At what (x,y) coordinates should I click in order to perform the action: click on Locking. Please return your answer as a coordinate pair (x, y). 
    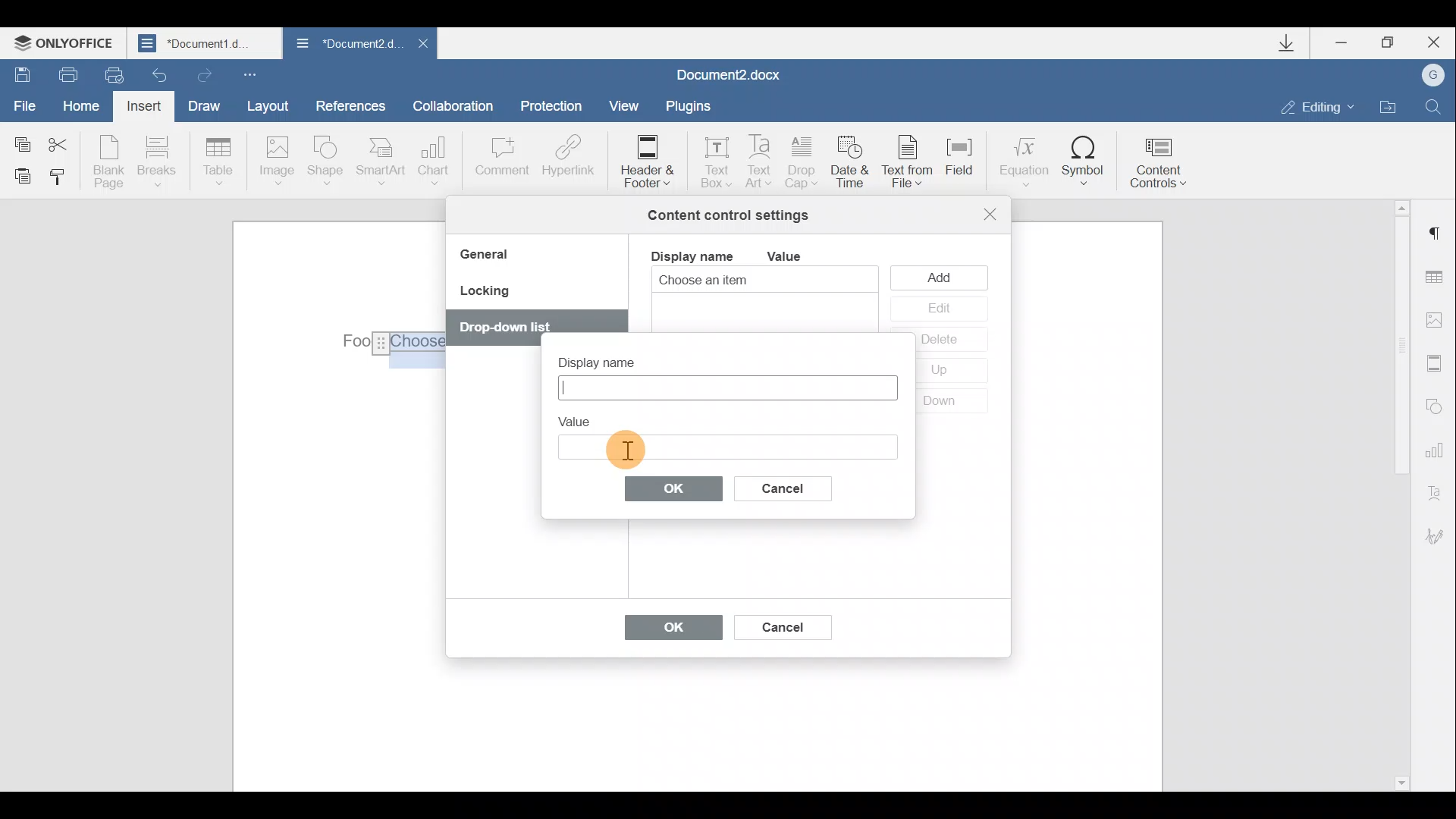
    Looking at the image, I should click on (484, 296).